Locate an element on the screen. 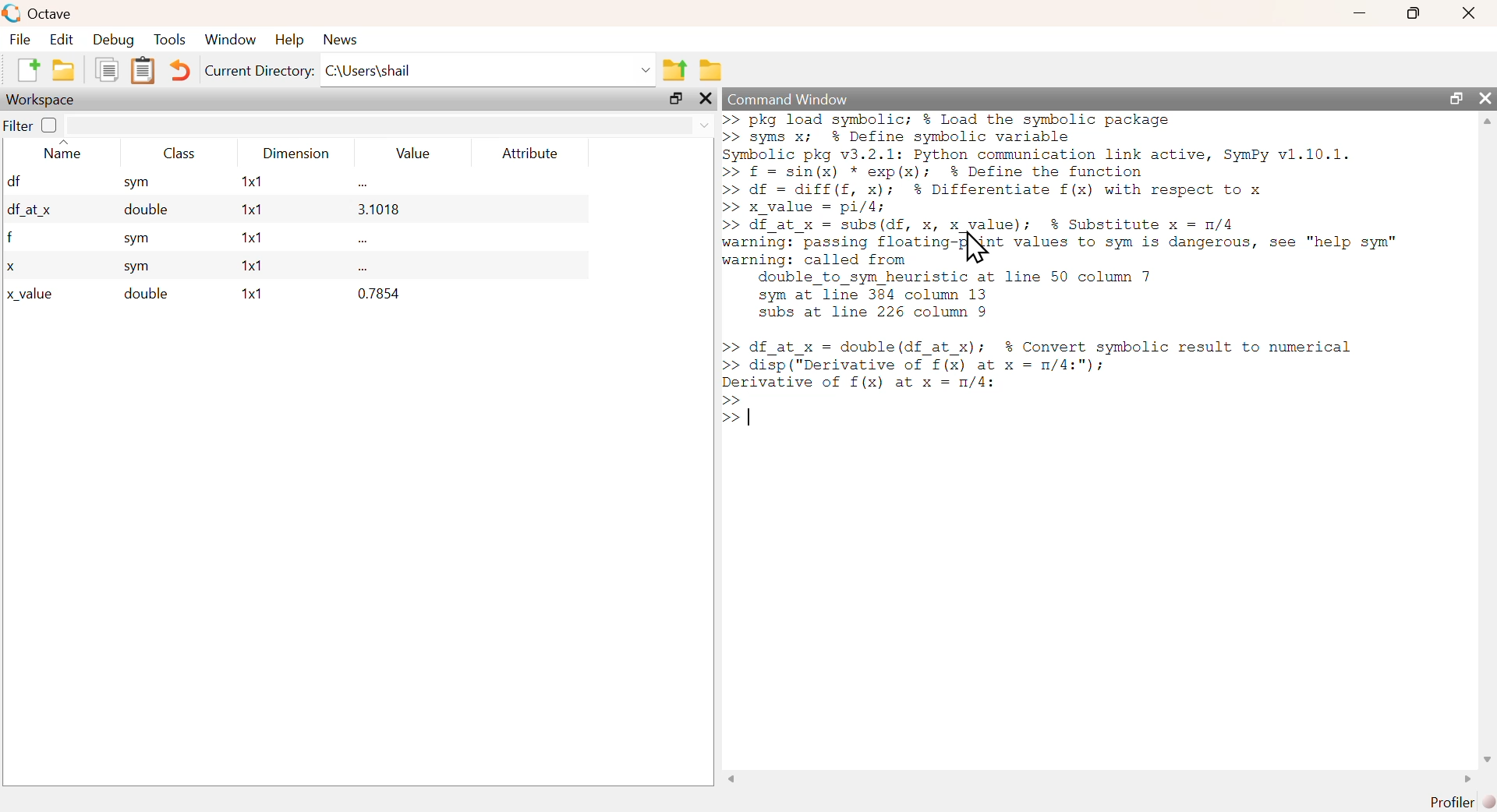 The height and width of the screenshot is (812, 1497). sym is located at coordinates (136, 183).